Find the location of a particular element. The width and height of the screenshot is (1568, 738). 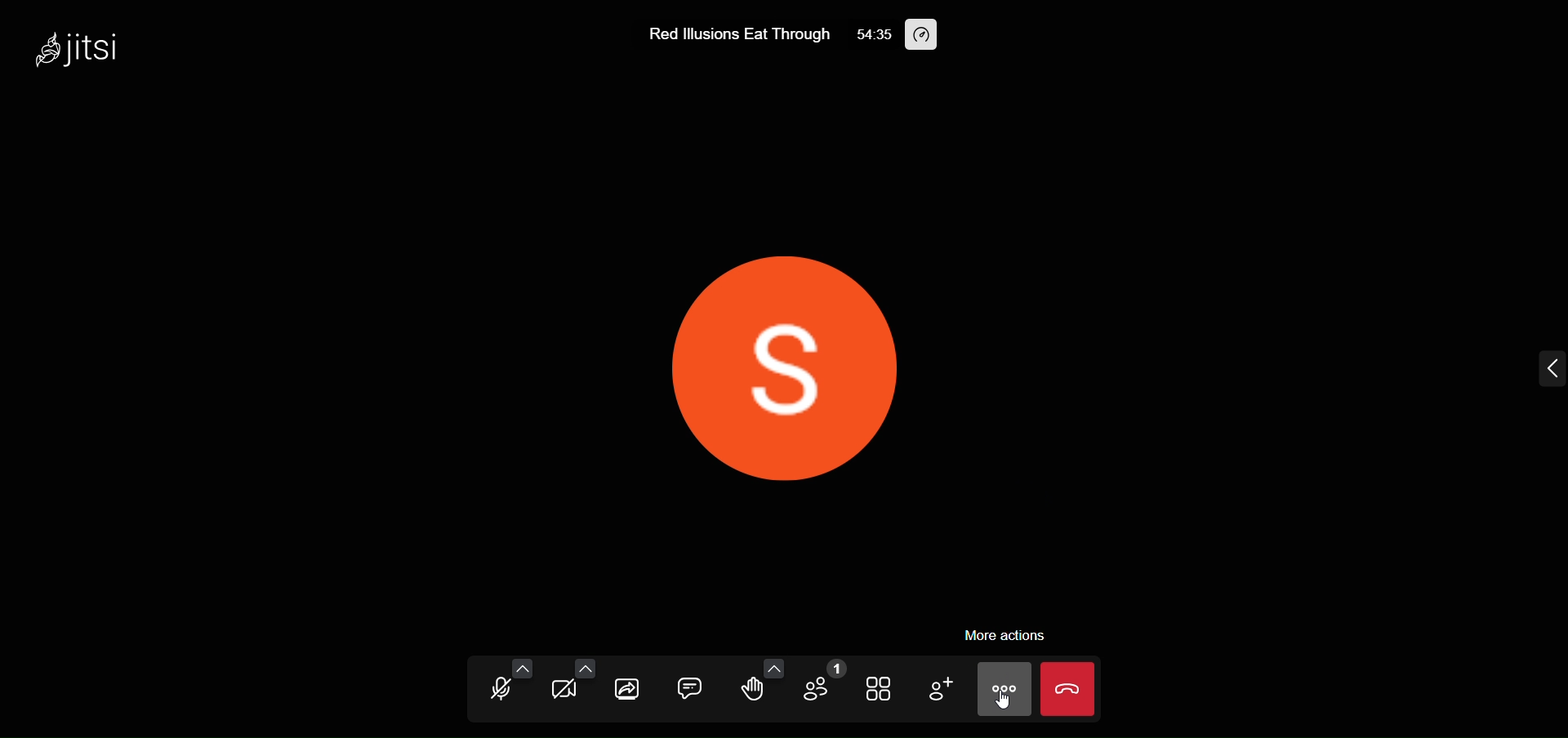

jitsi is located at coordinates (89, 47).